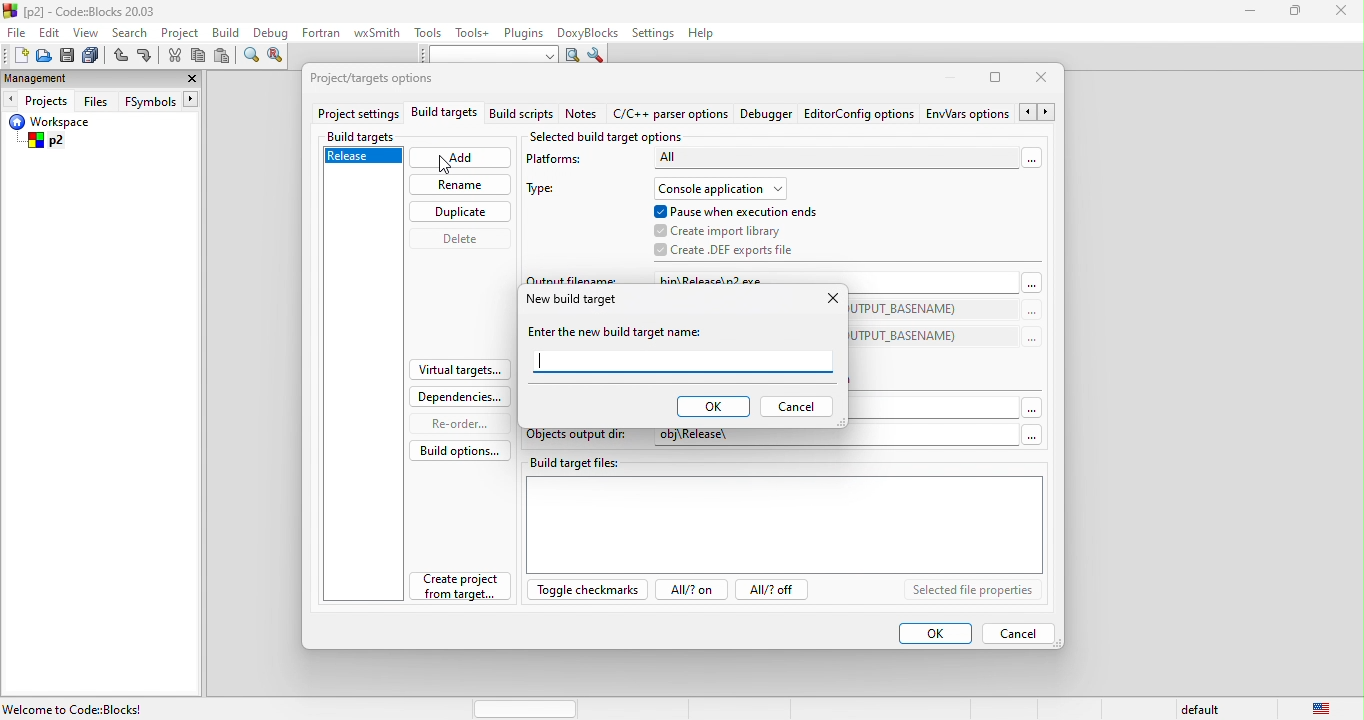  What do you see at coordinates (739, 231) in the screenshot?
I see `create import library ` at bounding box center [739, 231].